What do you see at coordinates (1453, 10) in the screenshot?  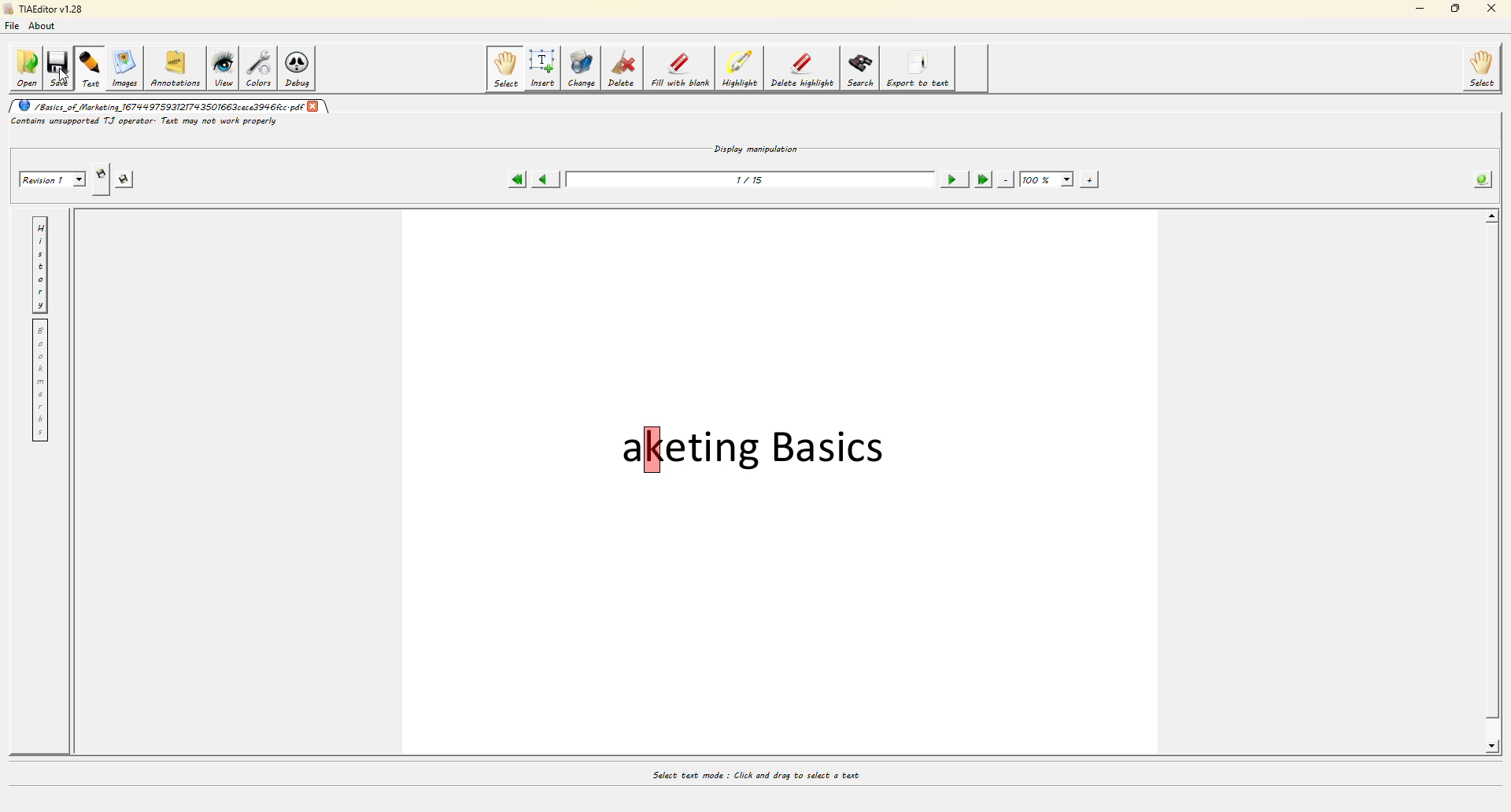 I see `maximize` at bounding box center [1453, 10].